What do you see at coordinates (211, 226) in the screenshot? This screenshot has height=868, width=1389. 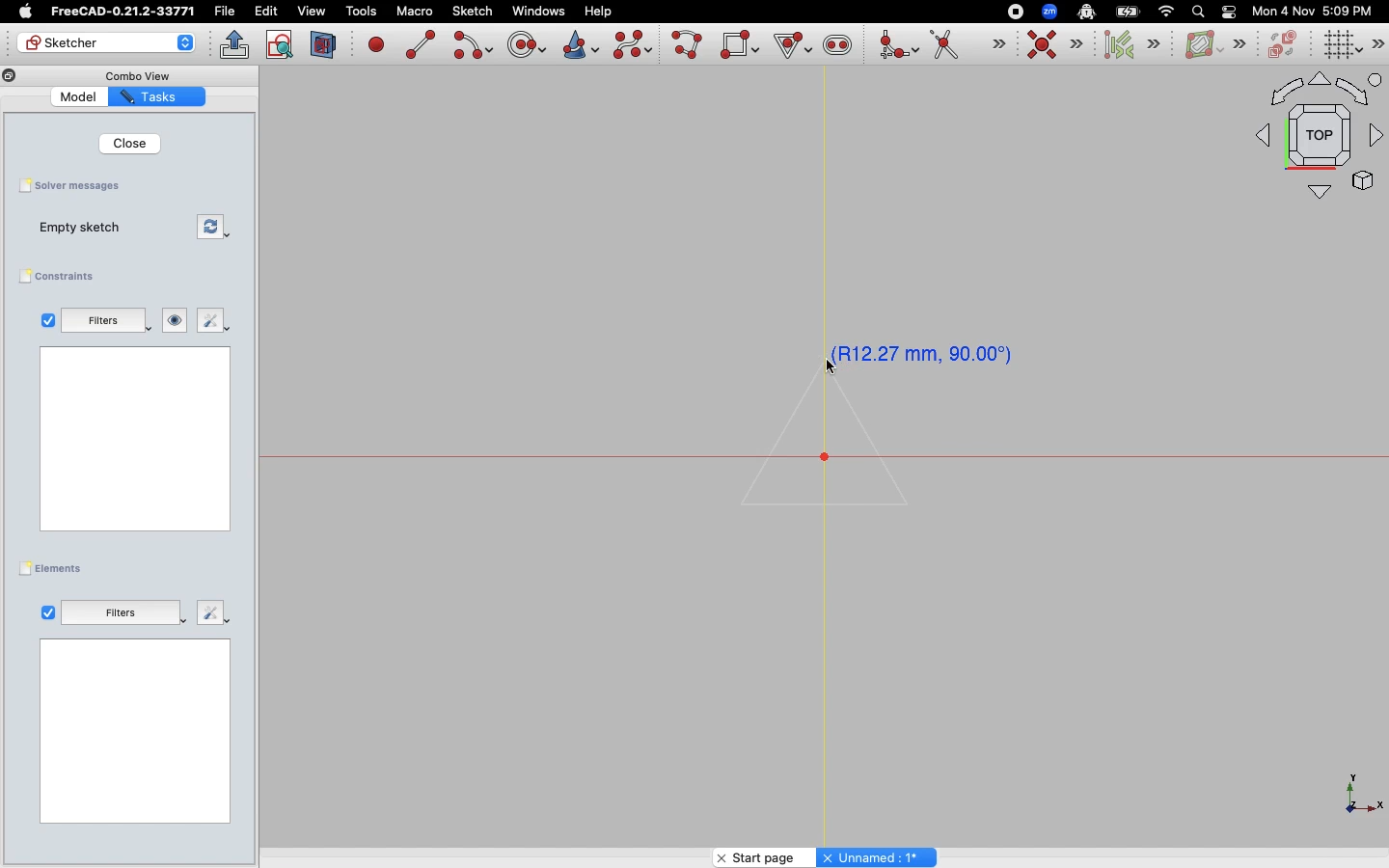 I see `Swap` at bounding box center [211, 226].